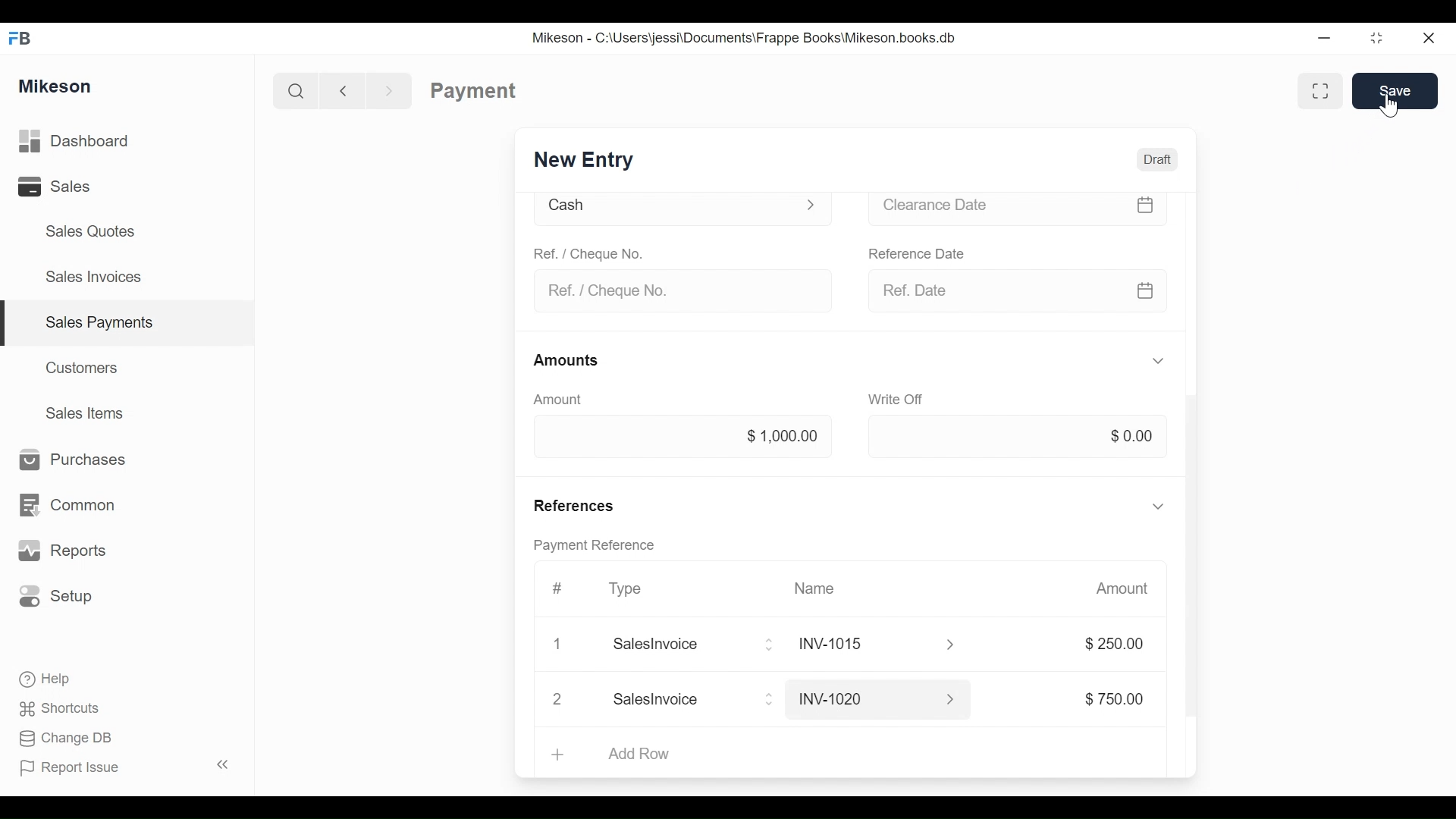  What do you see at coordinates (1318, 92) in the screenshot?
I see `Full width toggle` at bounding box center [1318, 92].